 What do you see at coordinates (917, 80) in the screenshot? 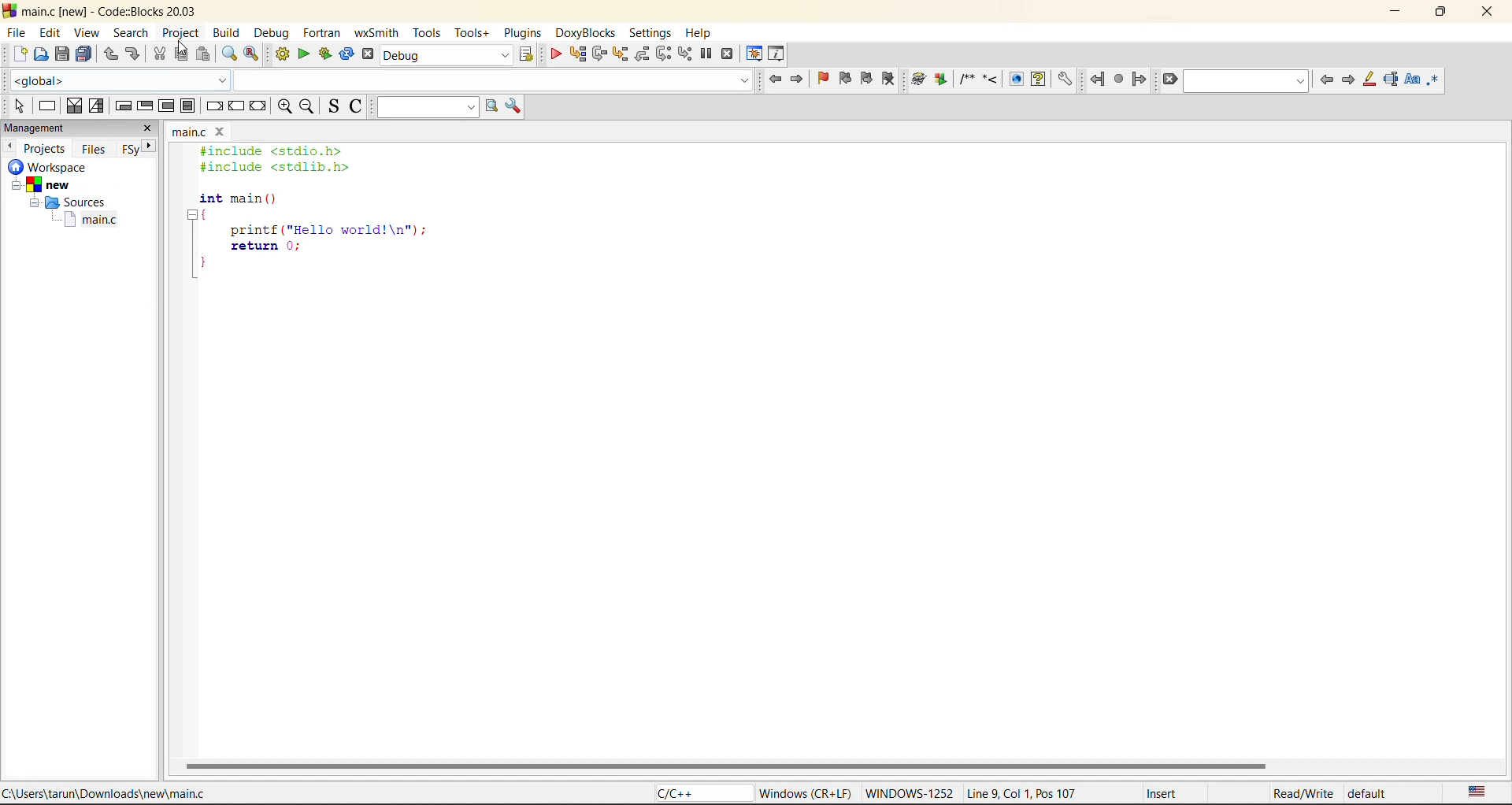
I see `Run doxywizard` at bounding box center [917, 80].